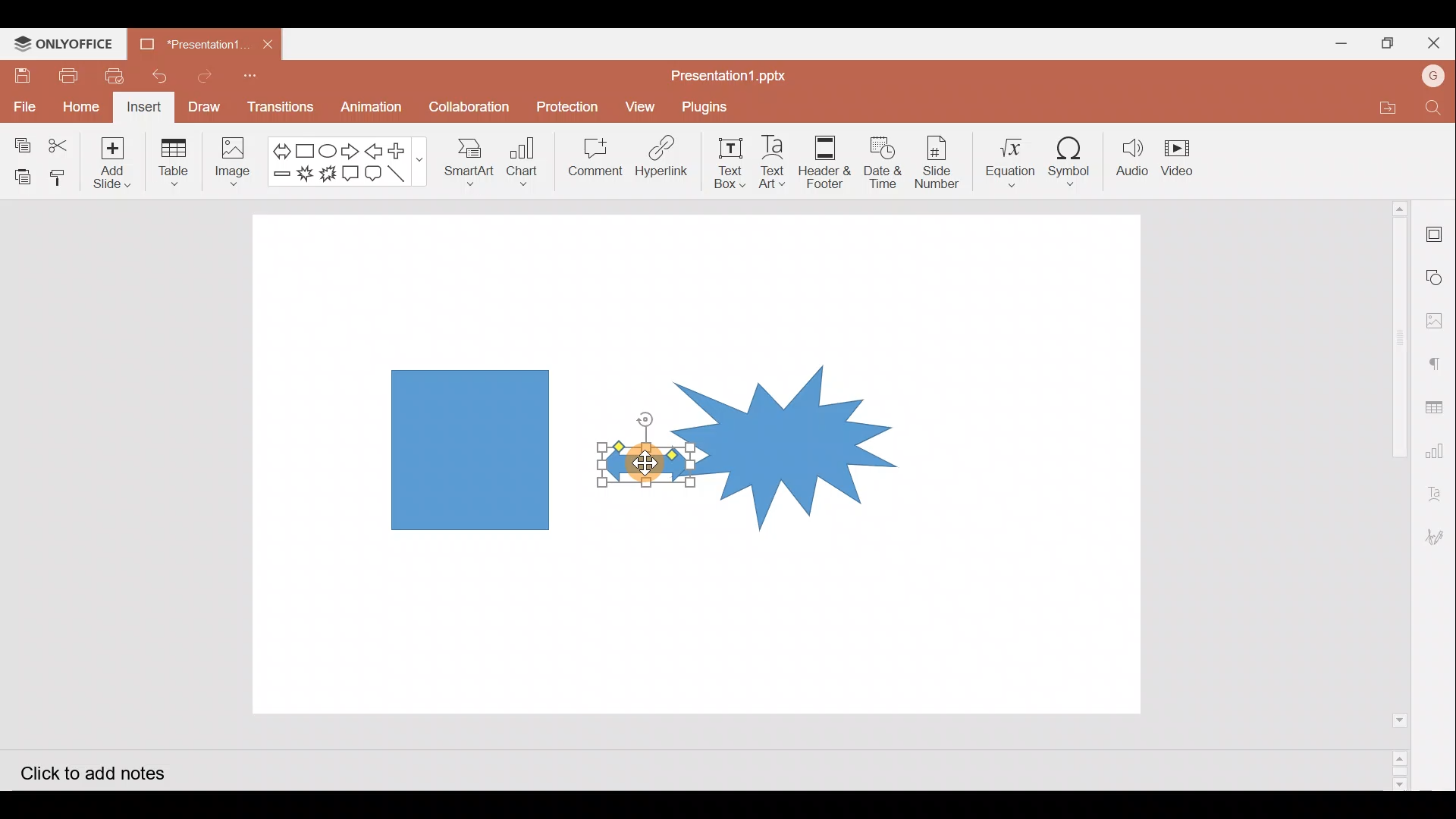 This screenshot has width=1456, height=819. Describe the element at coordinates (1383, 105) in the screenshot. I see `Open file location` at that location.